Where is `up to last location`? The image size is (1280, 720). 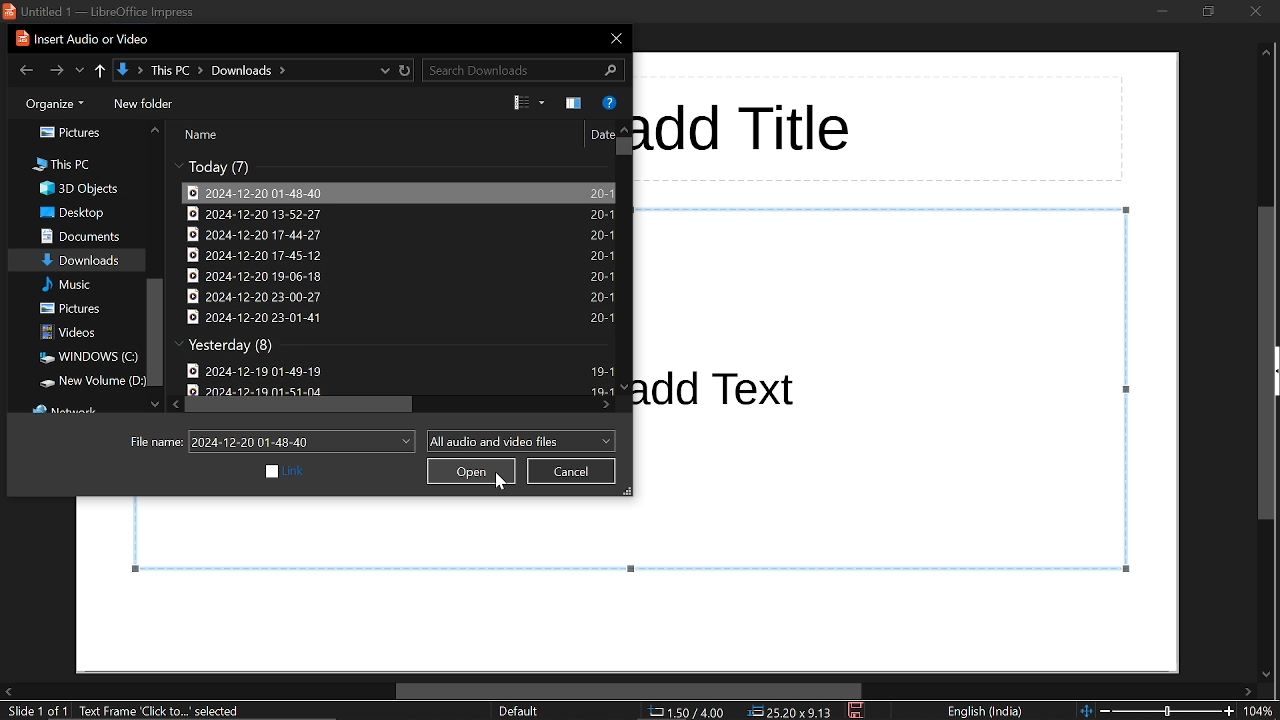
up to last location is located at coordinates (100, 69).